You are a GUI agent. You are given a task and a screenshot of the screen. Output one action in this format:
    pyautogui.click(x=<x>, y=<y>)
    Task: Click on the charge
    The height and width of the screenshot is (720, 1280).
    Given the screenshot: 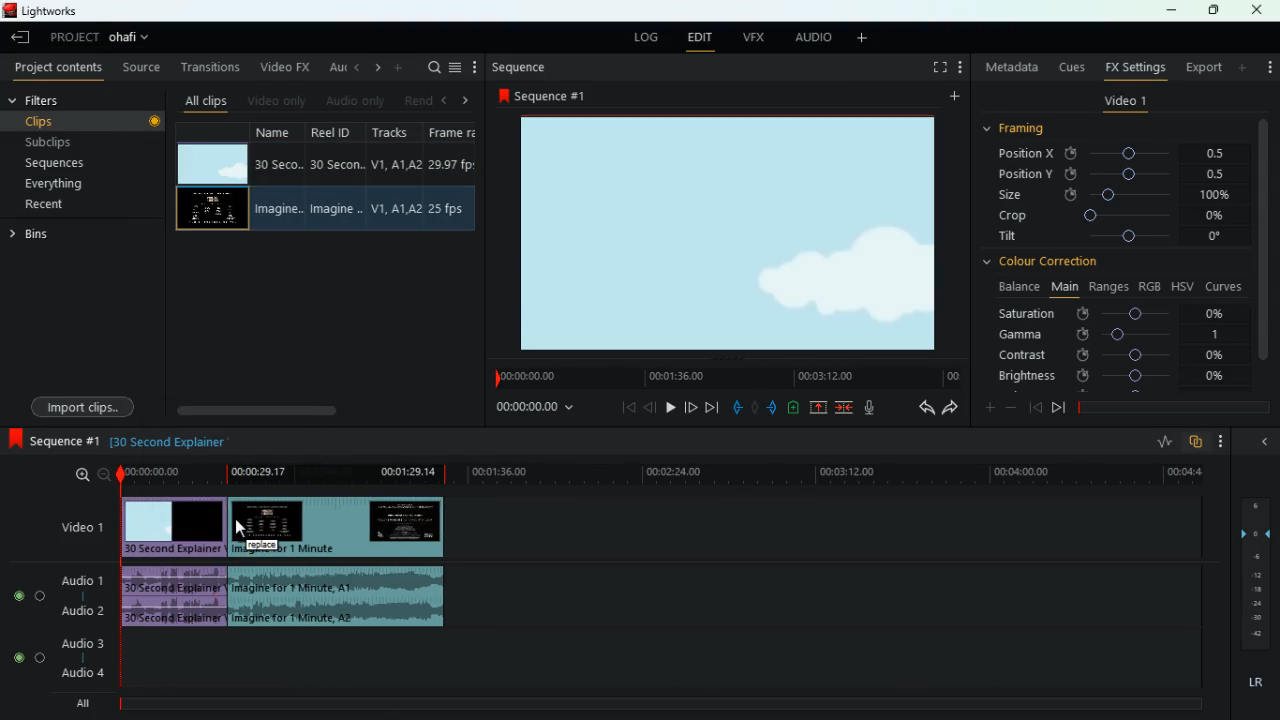 What is the action you would take?
    pyautogui.click(x=794, y=408)
    